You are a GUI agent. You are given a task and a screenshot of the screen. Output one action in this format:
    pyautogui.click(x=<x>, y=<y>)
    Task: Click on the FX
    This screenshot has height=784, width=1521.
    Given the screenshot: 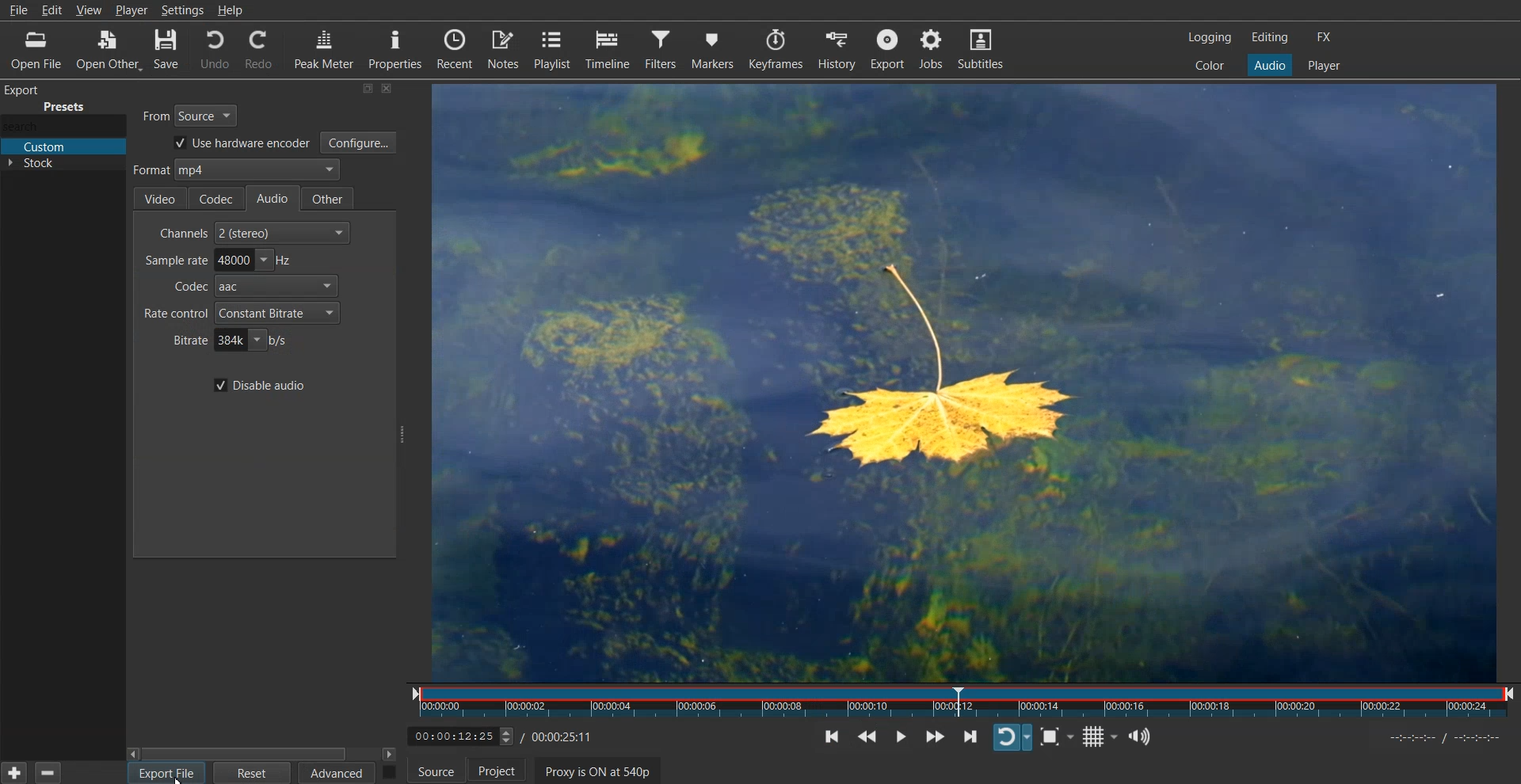 What is the action you would take?
    pyautogui.click(x=1322, y=37)
    